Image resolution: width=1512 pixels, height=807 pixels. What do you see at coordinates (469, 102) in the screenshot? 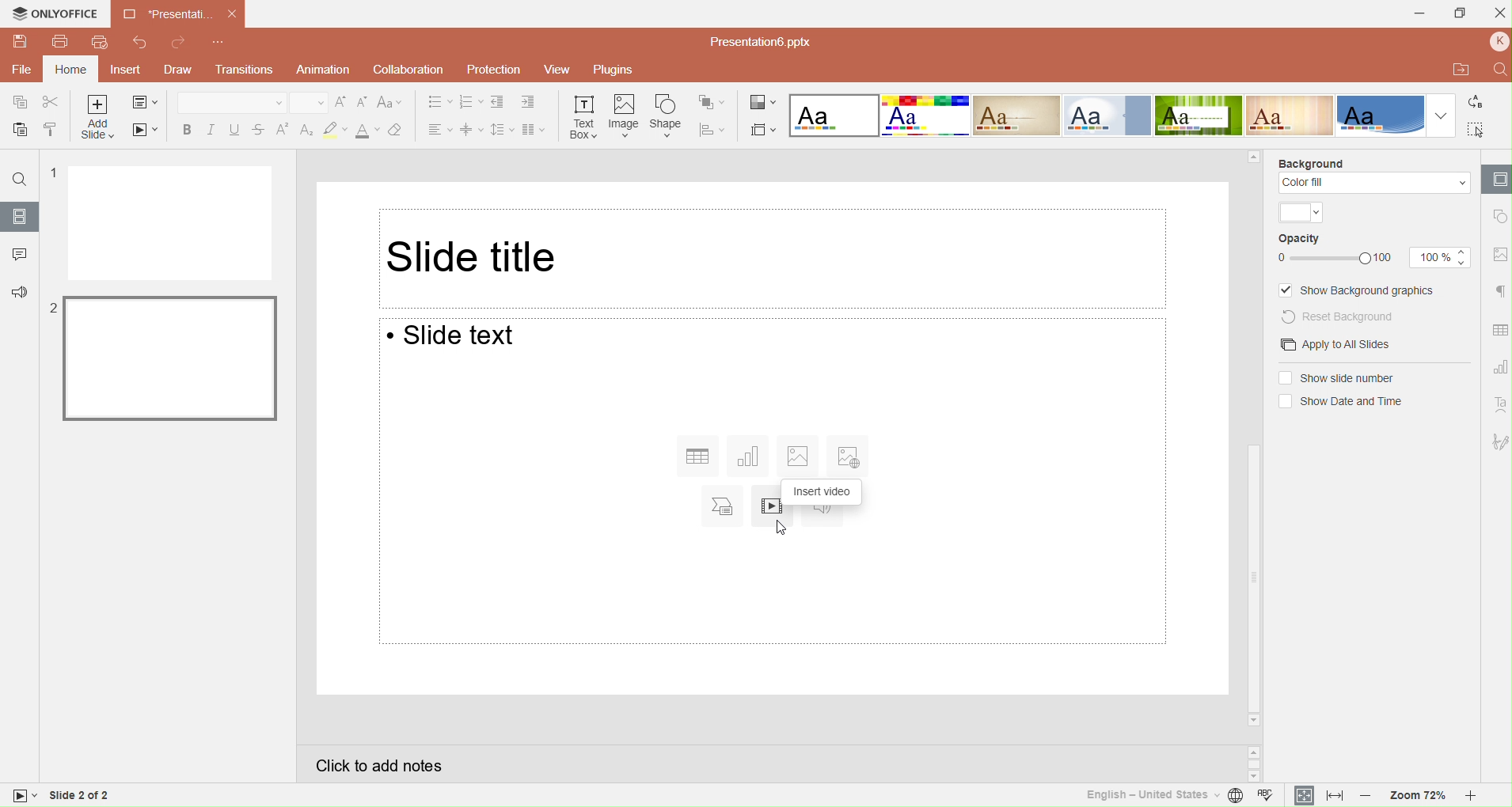
I see `Numbering` at bounding box center [469, 102].